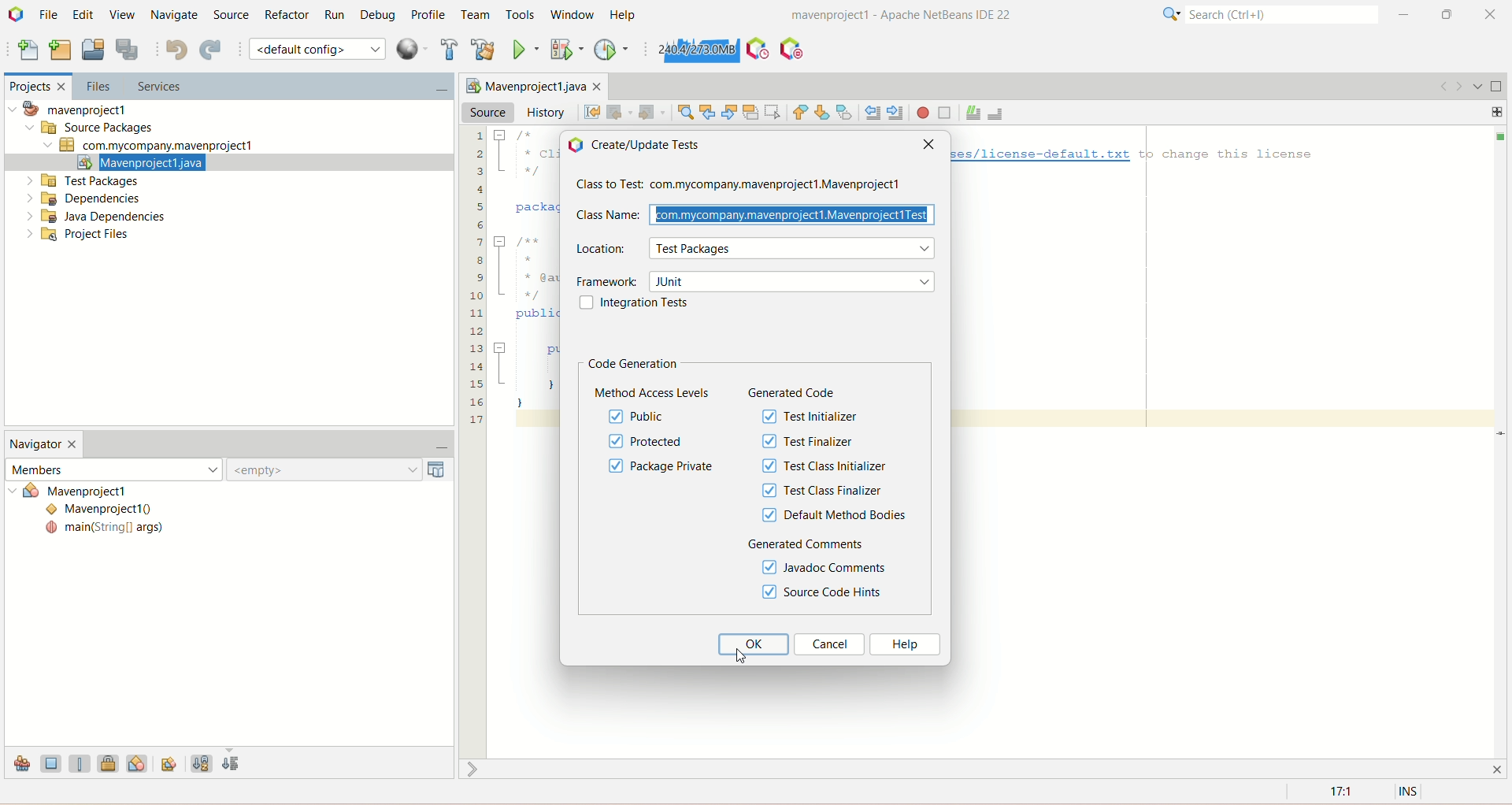 The image size is (1512, 805). What do you see at coordinates (1492, 111) in the screenshot?
I see `add` at bounding box center [1492, 111].